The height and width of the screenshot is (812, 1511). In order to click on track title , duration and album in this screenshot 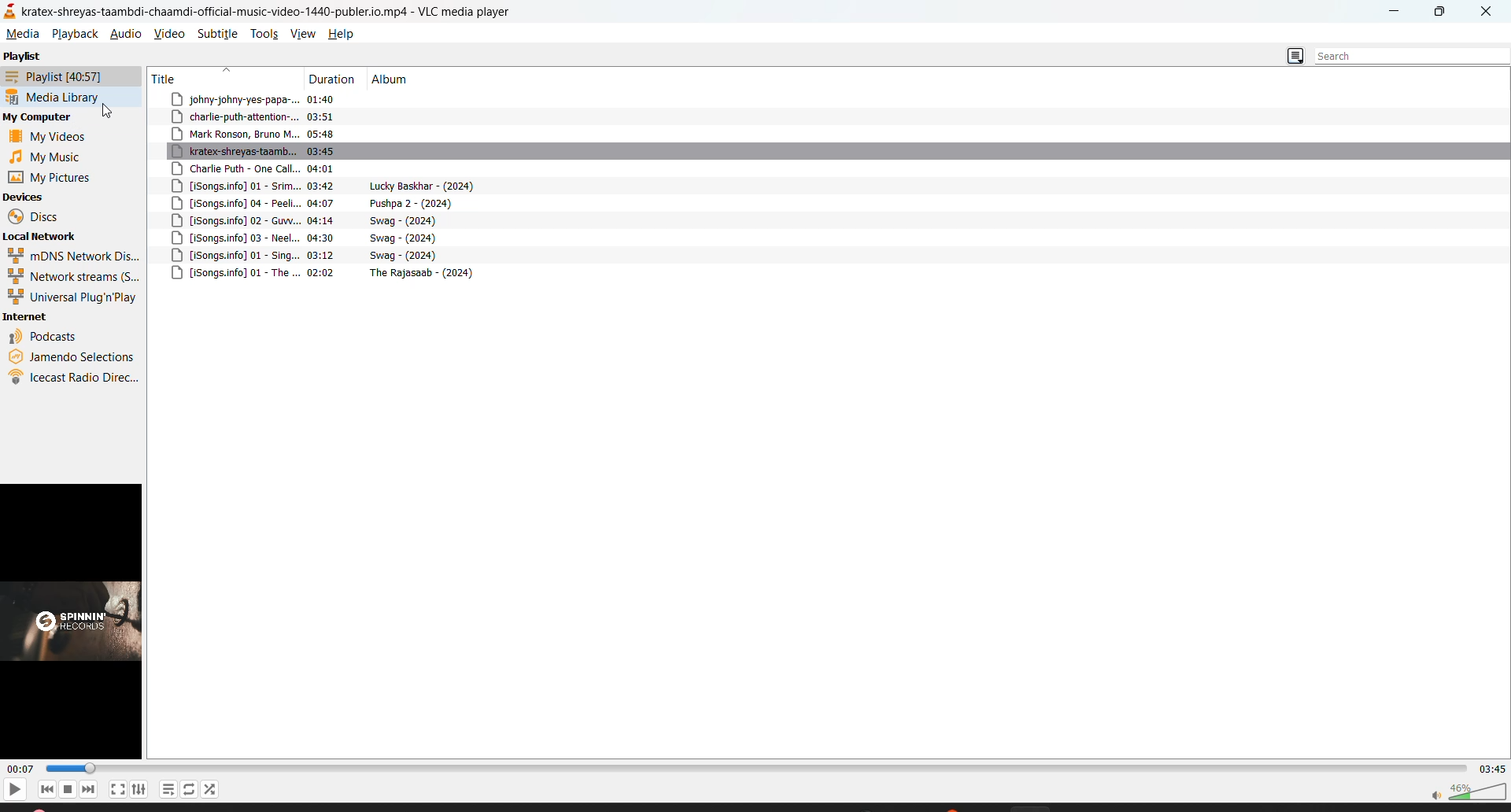, I will do `click(316, 134)`.